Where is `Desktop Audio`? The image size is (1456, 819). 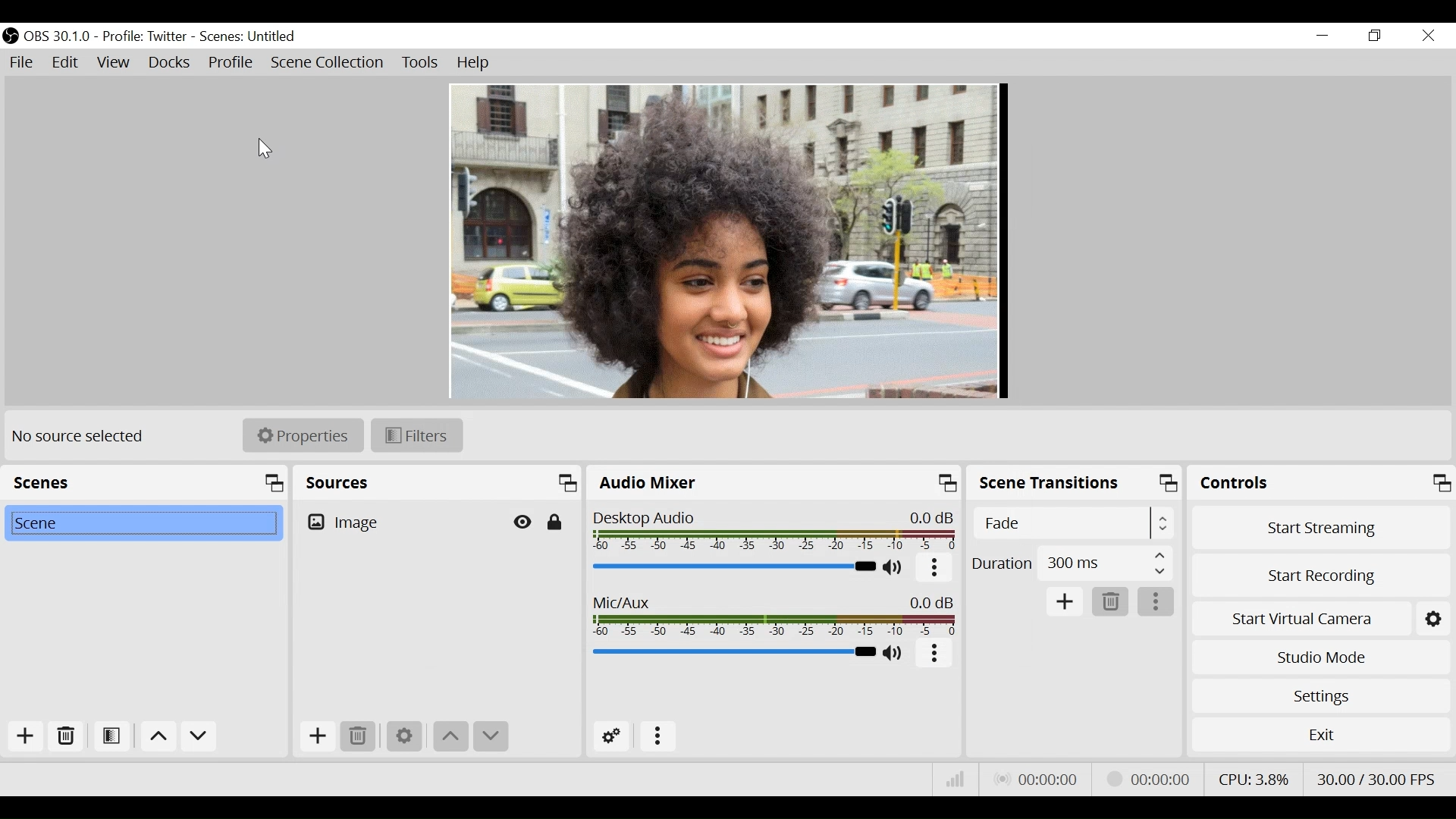 Desktop Audio is located at coordinates (776, 532).